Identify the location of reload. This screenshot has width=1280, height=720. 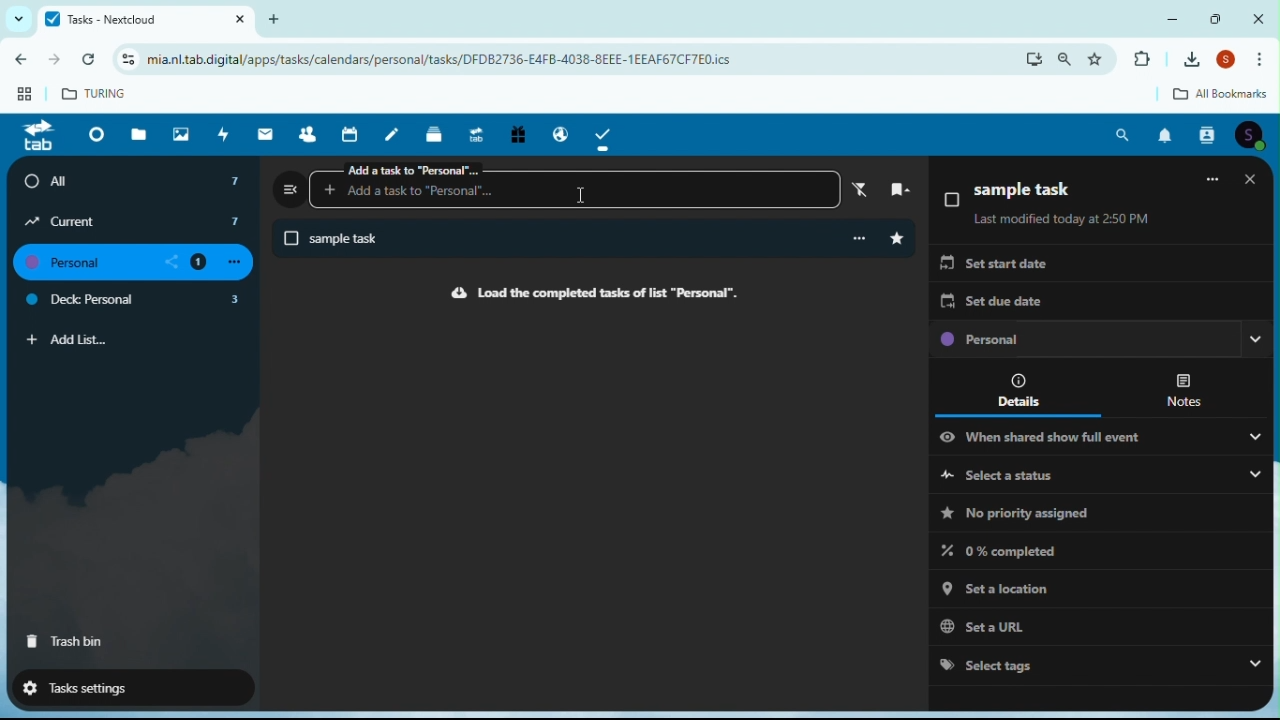
(93, 60).